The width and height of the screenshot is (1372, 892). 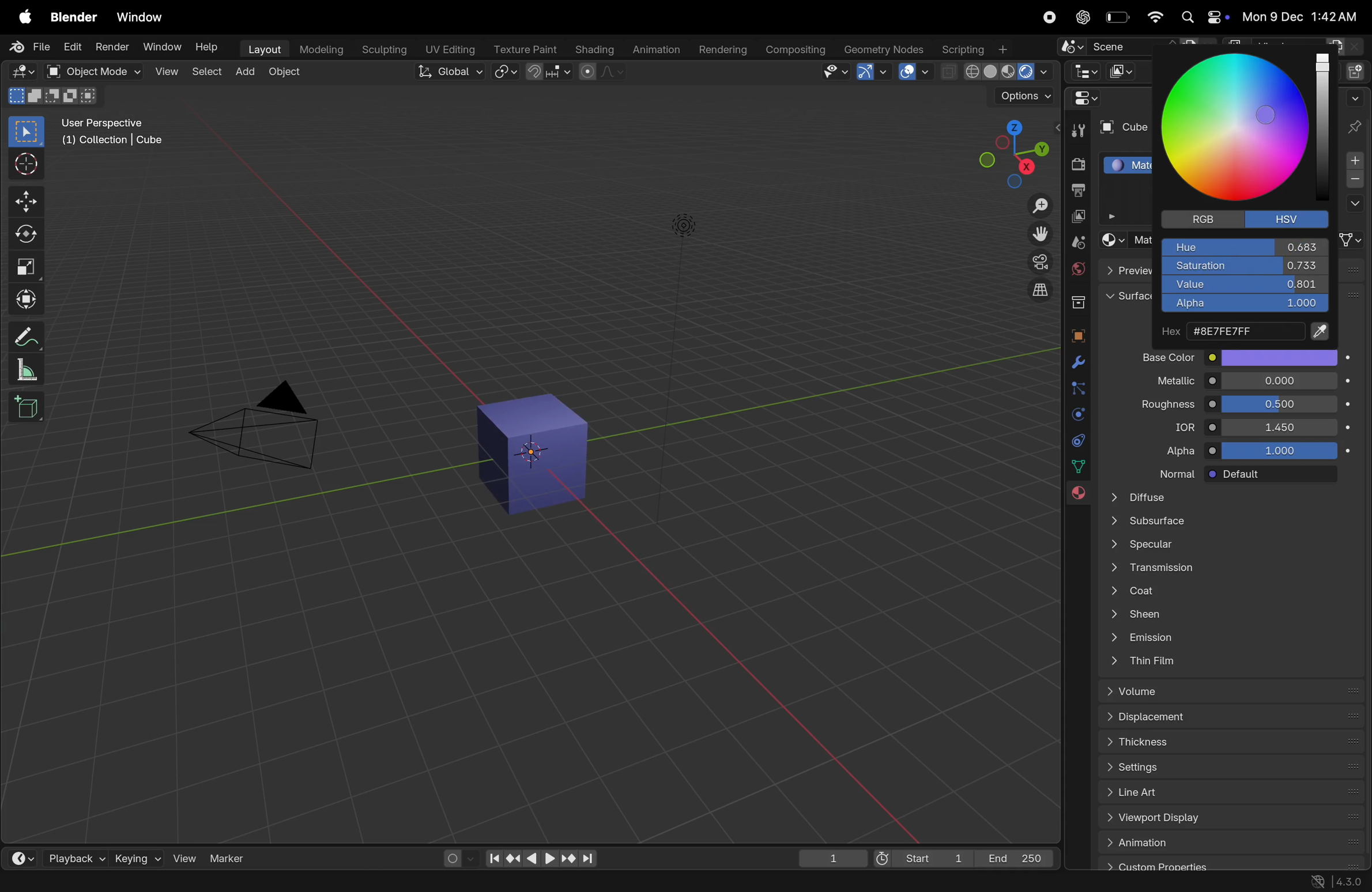 I want to click on rendering, so click(x=723, y=50).